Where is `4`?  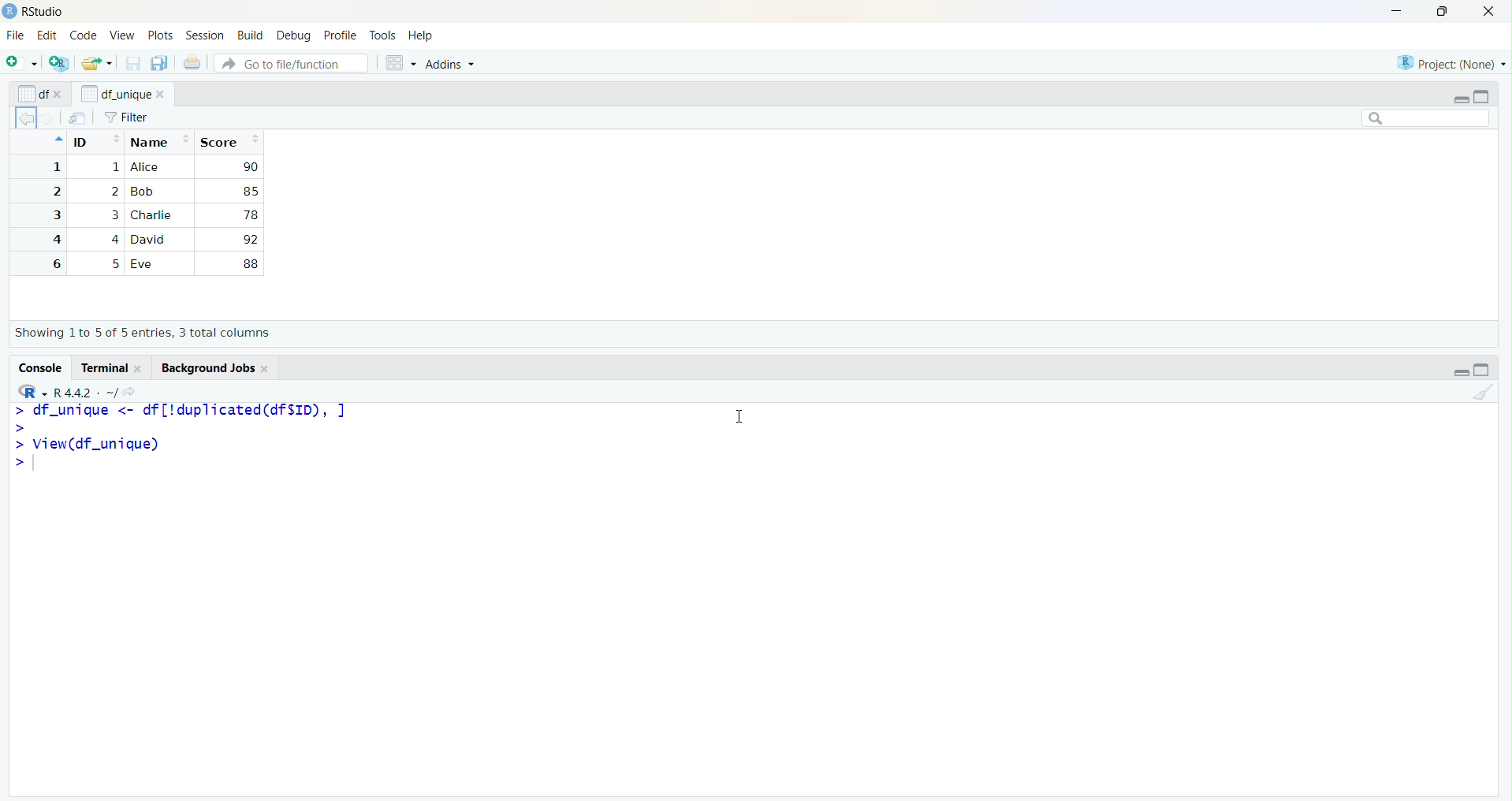 4 is located at coordinates (54, 240).